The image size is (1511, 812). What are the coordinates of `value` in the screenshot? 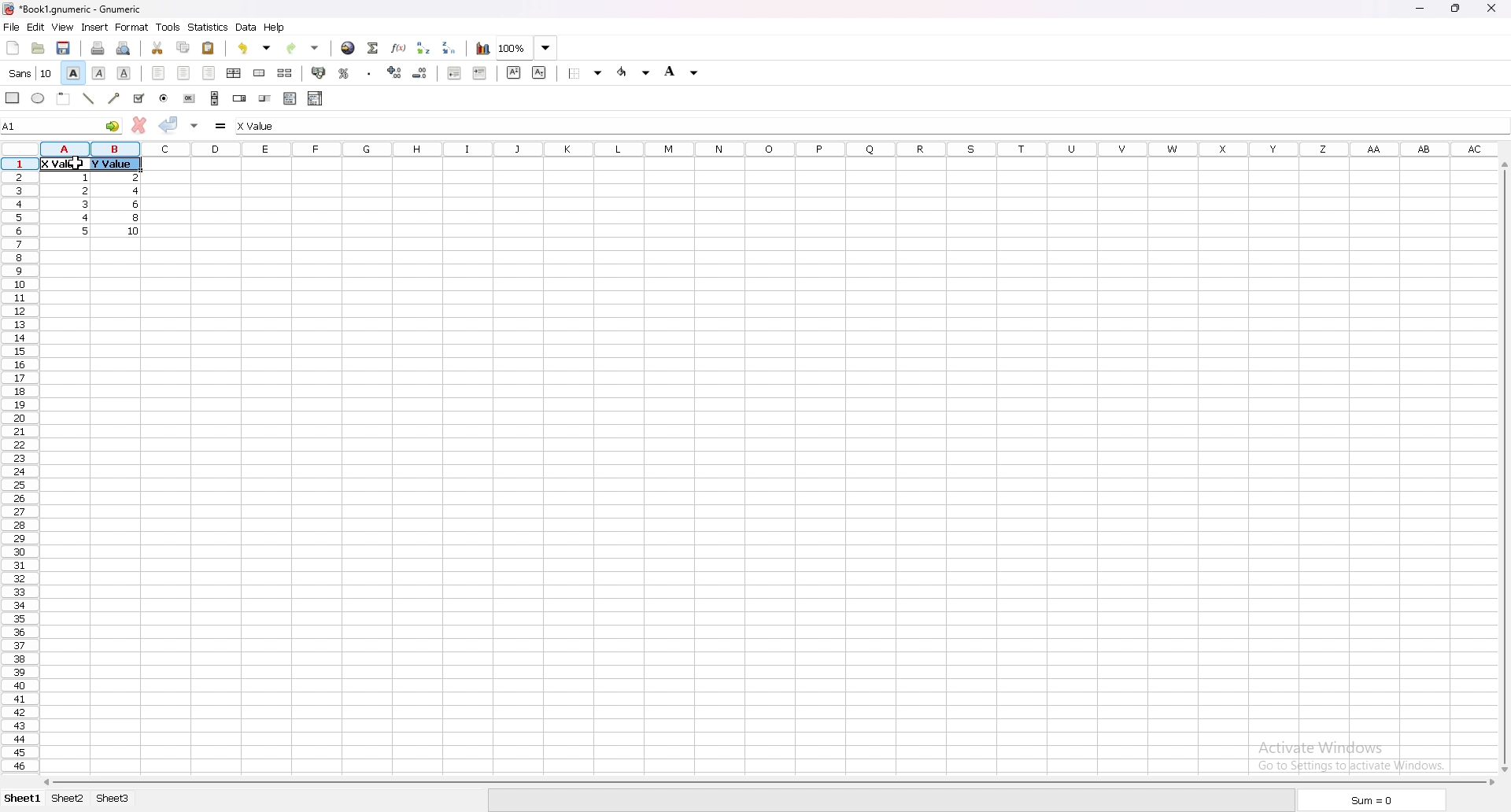 It's located at (137, 218).